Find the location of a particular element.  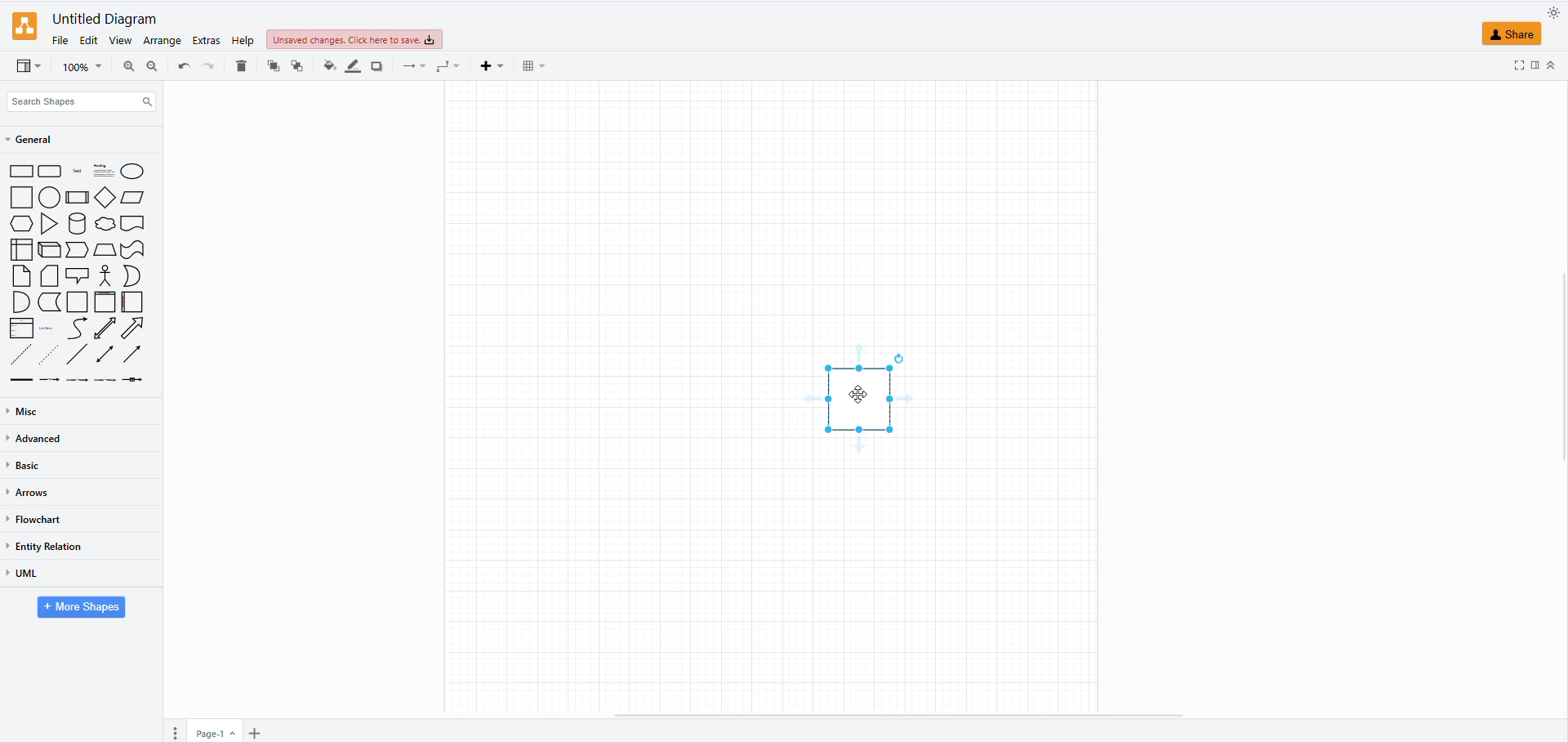

logo is located at coordinates (24, 26).